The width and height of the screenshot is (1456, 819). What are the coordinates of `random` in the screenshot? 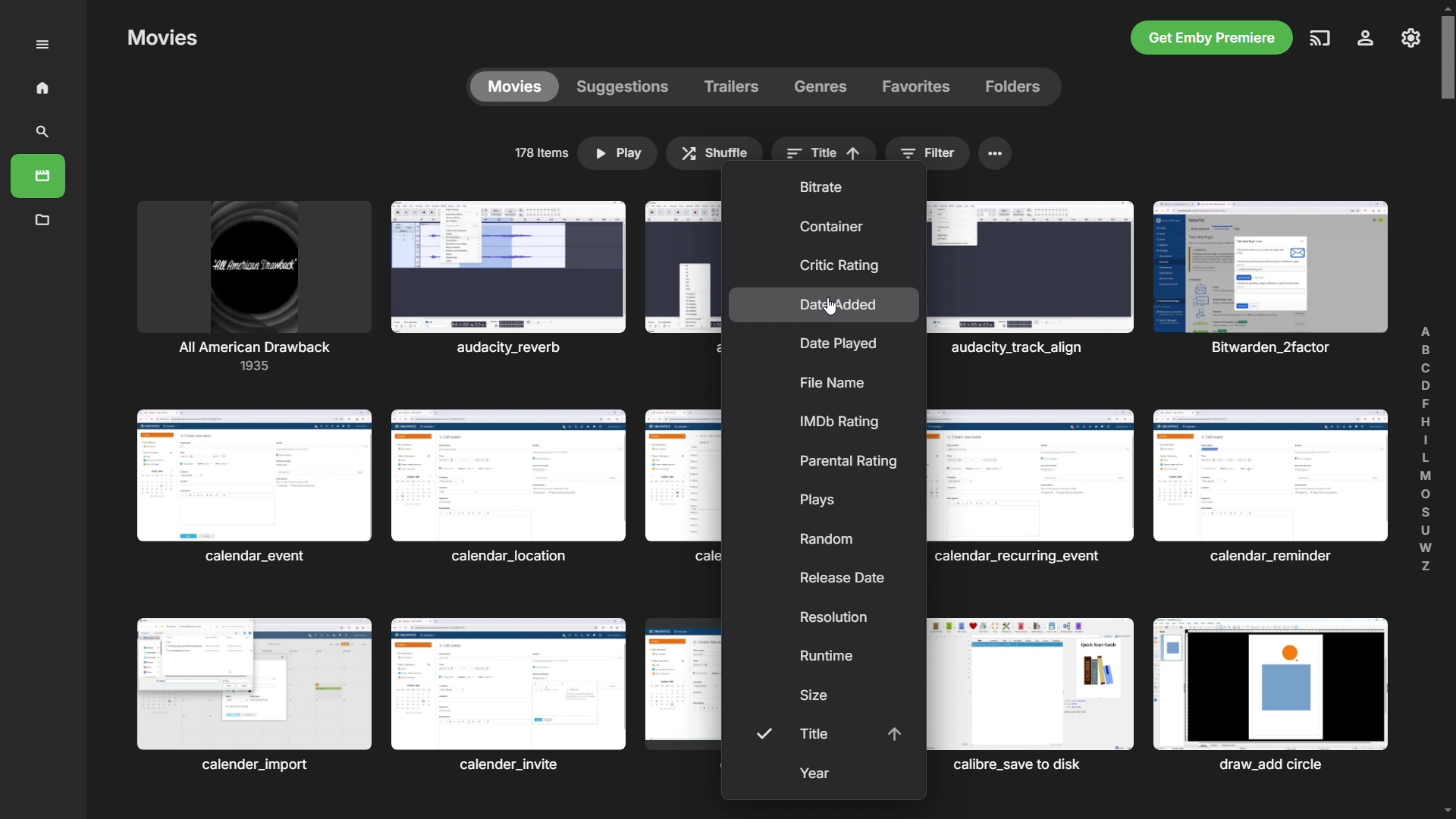 It's located at (823, 536).